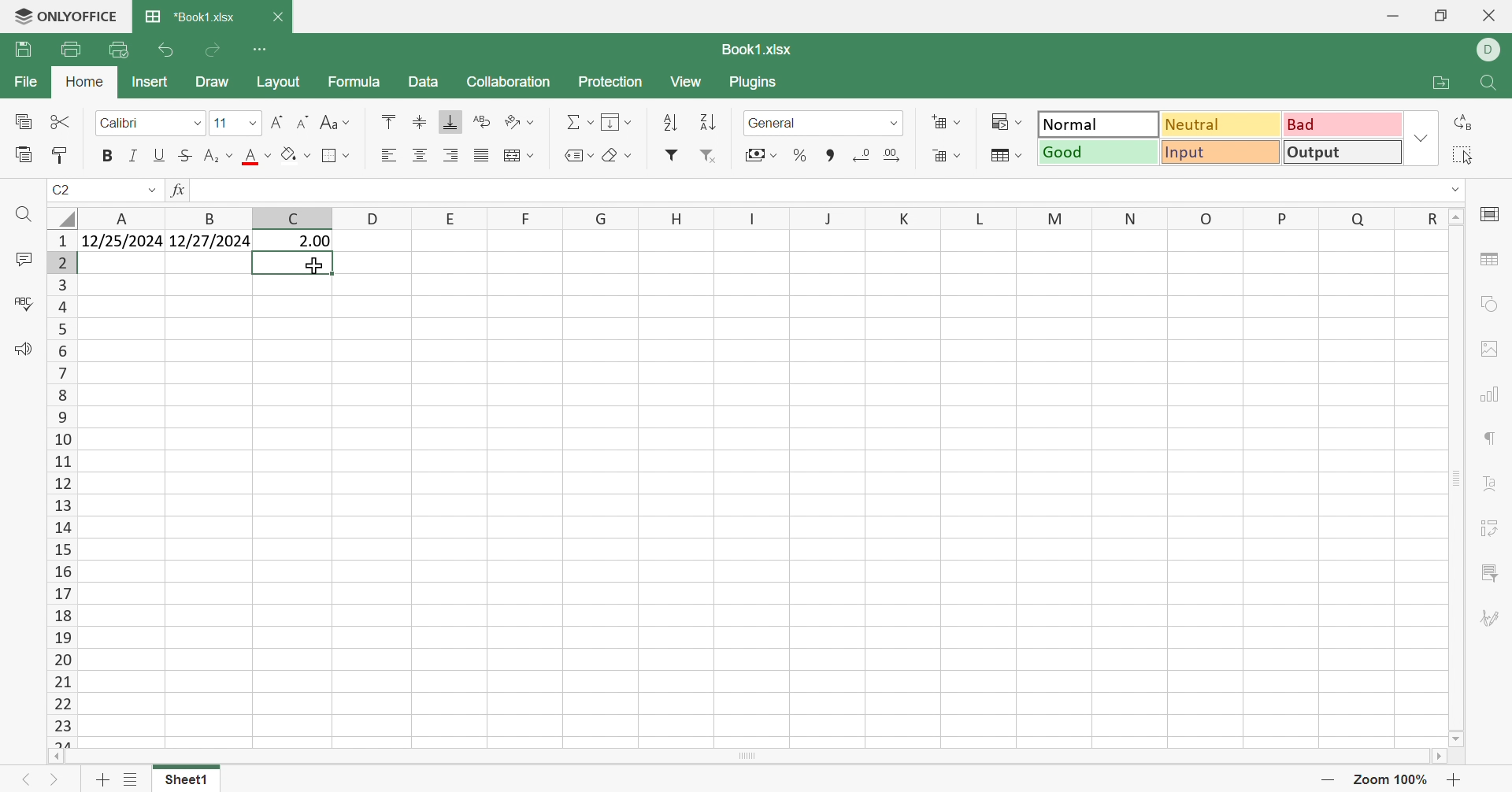 The height and width of the screenshot is (792, 1512). What do you see at coordinates (1492, 619) in the screenshot?
I see `Signature settings` at bounding box center [1492, 619].